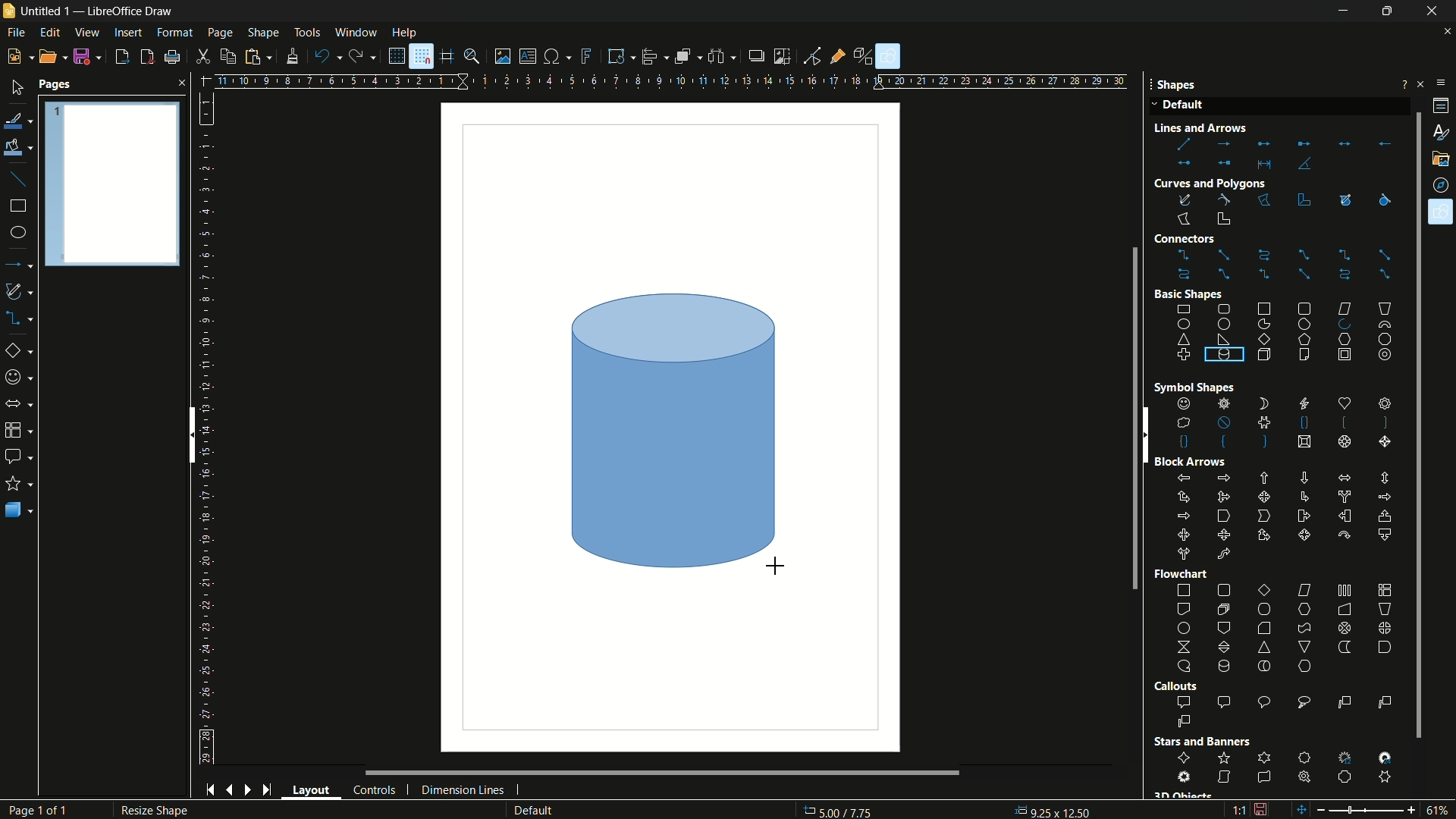 This screenshot has width=1456, height=819. Describe the element at coordinates (1261, 808) in the screenshot. I see `document modification` at that location.